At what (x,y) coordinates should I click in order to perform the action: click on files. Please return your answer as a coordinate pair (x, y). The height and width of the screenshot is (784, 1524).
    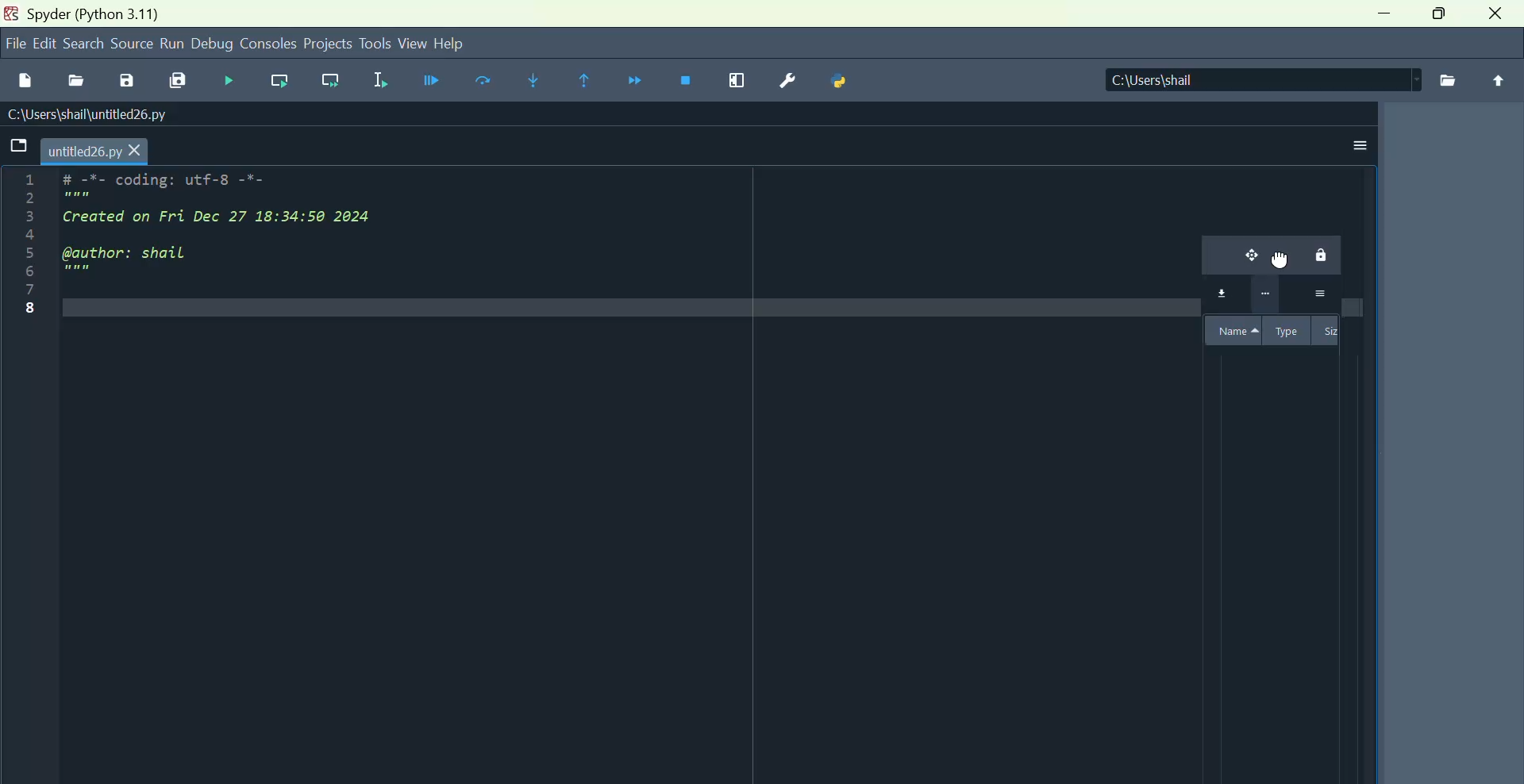
    Looking at the image, I should click on (1446, 79).